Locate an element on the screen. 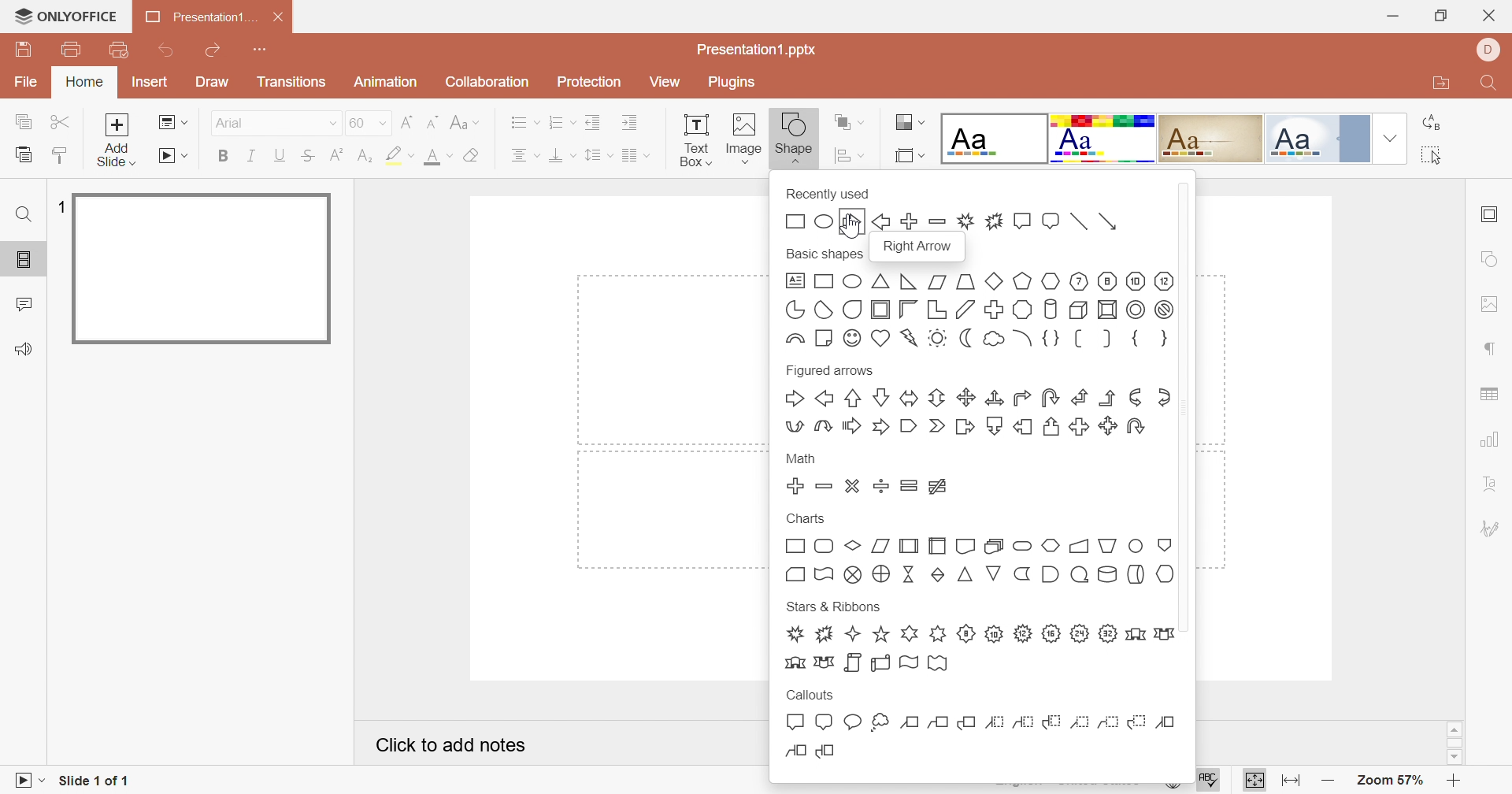 The height and width of the screenshot is (794, 1512). Click to add notes is located at coordinates (454, 746).